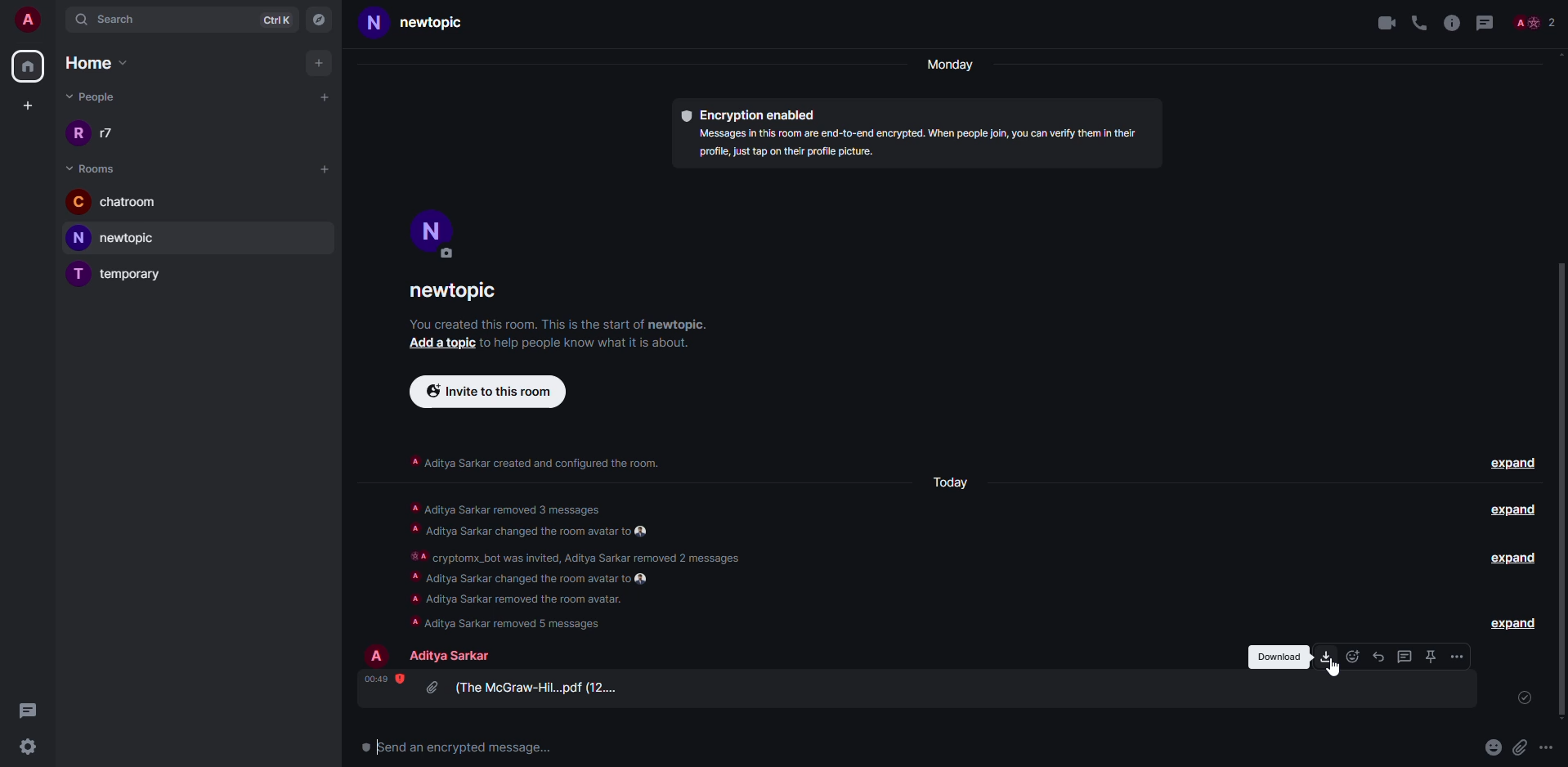  I want to click on click, so click(1520, 747).